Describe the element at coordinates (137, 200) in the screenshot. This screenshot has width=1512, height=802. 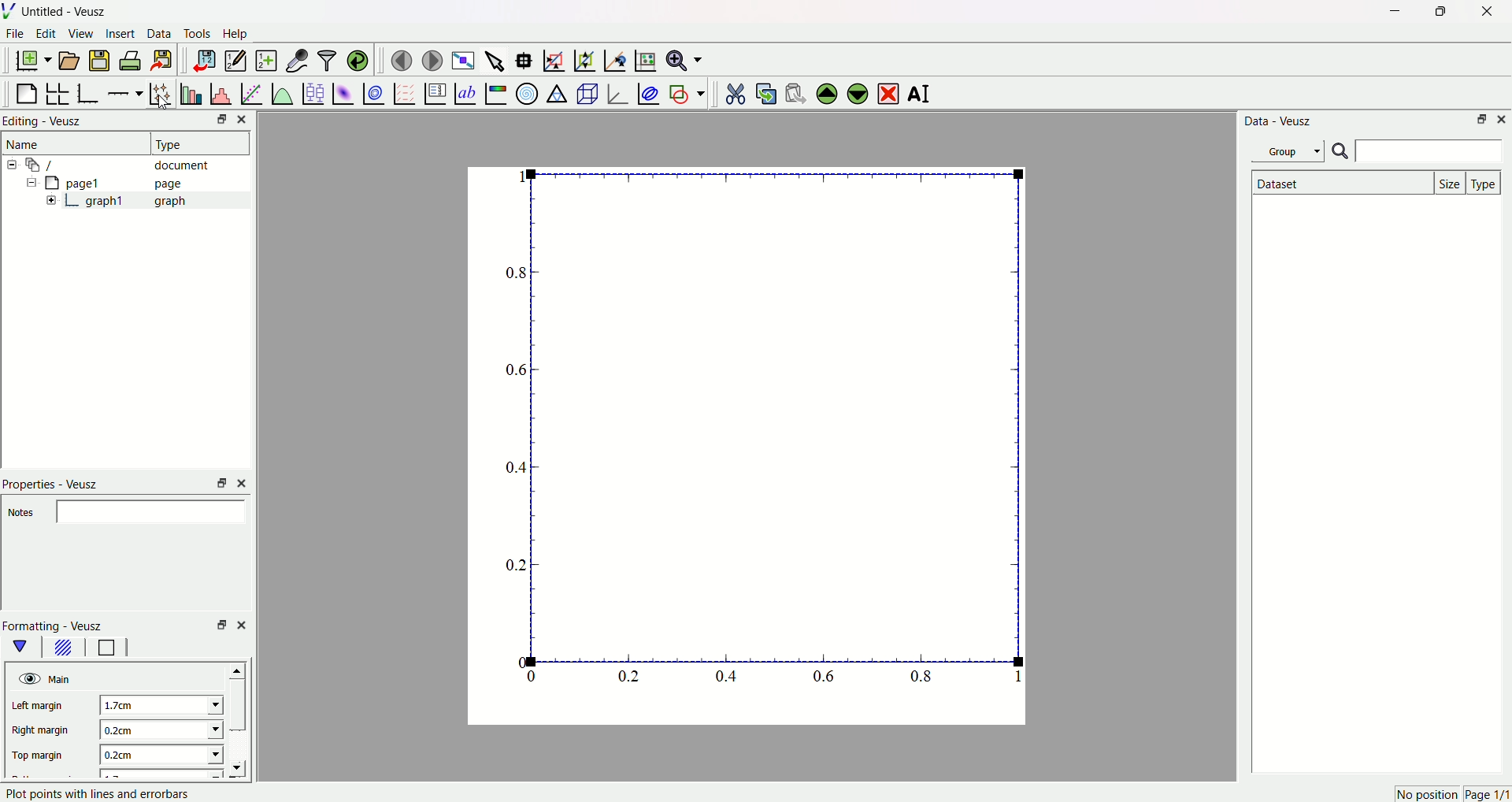
I see `graph1 graph` at that location.